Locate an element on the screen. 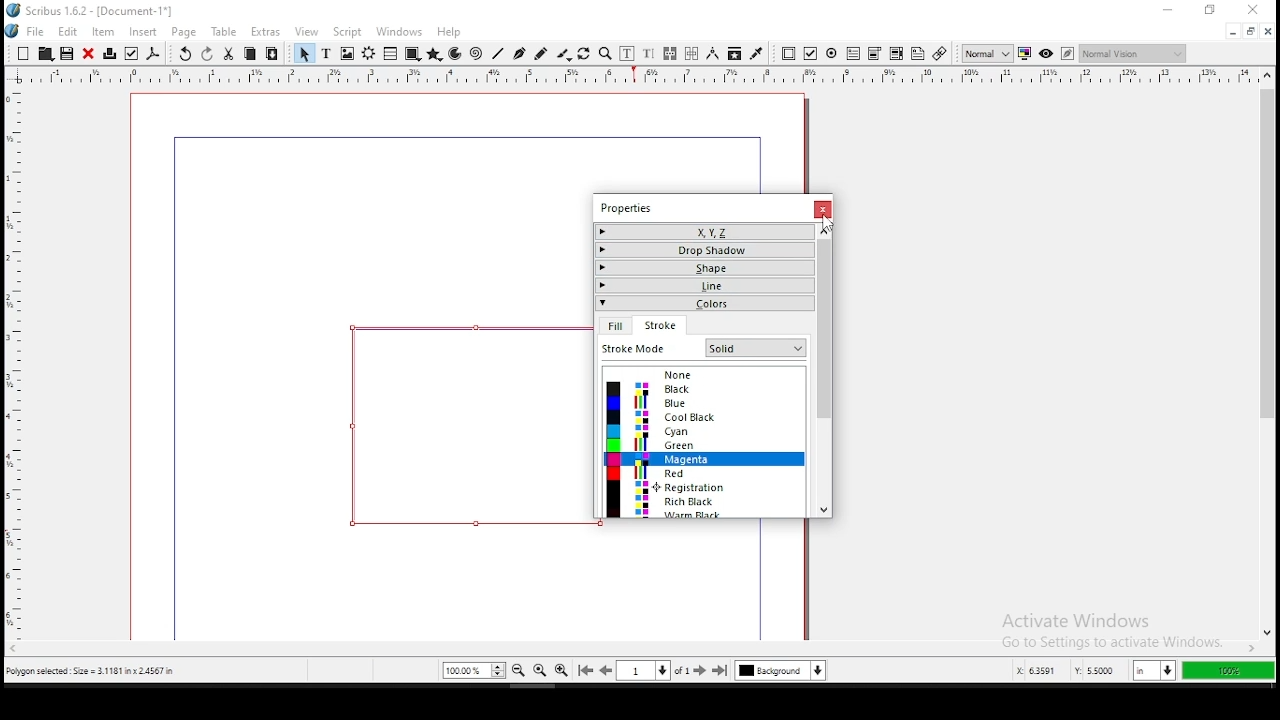  page is located at coordinates (183, 32).